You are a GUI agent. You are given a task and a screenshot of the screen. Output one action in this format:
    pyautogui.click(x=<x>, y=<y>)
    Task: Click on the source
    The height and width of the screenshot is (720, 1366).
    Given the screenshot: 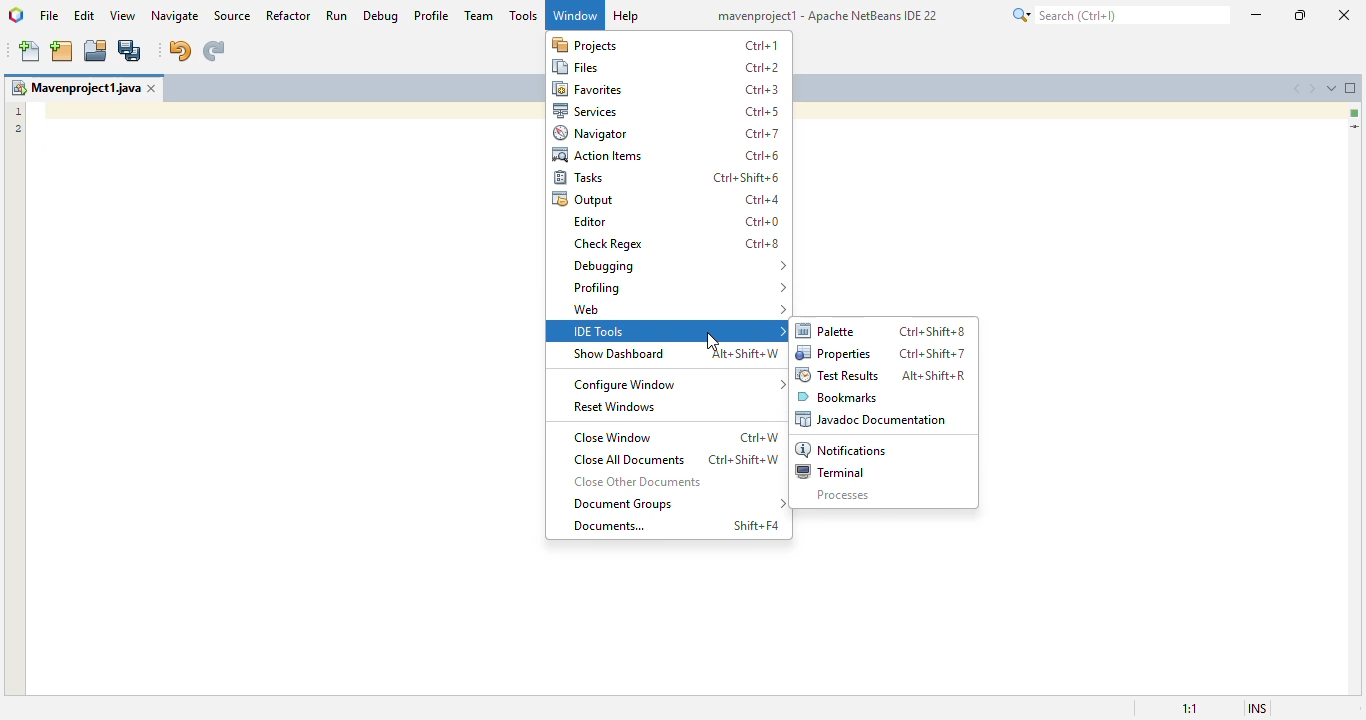 What is the action you would take?
    pyautogui.click(x=232, y=15)
    